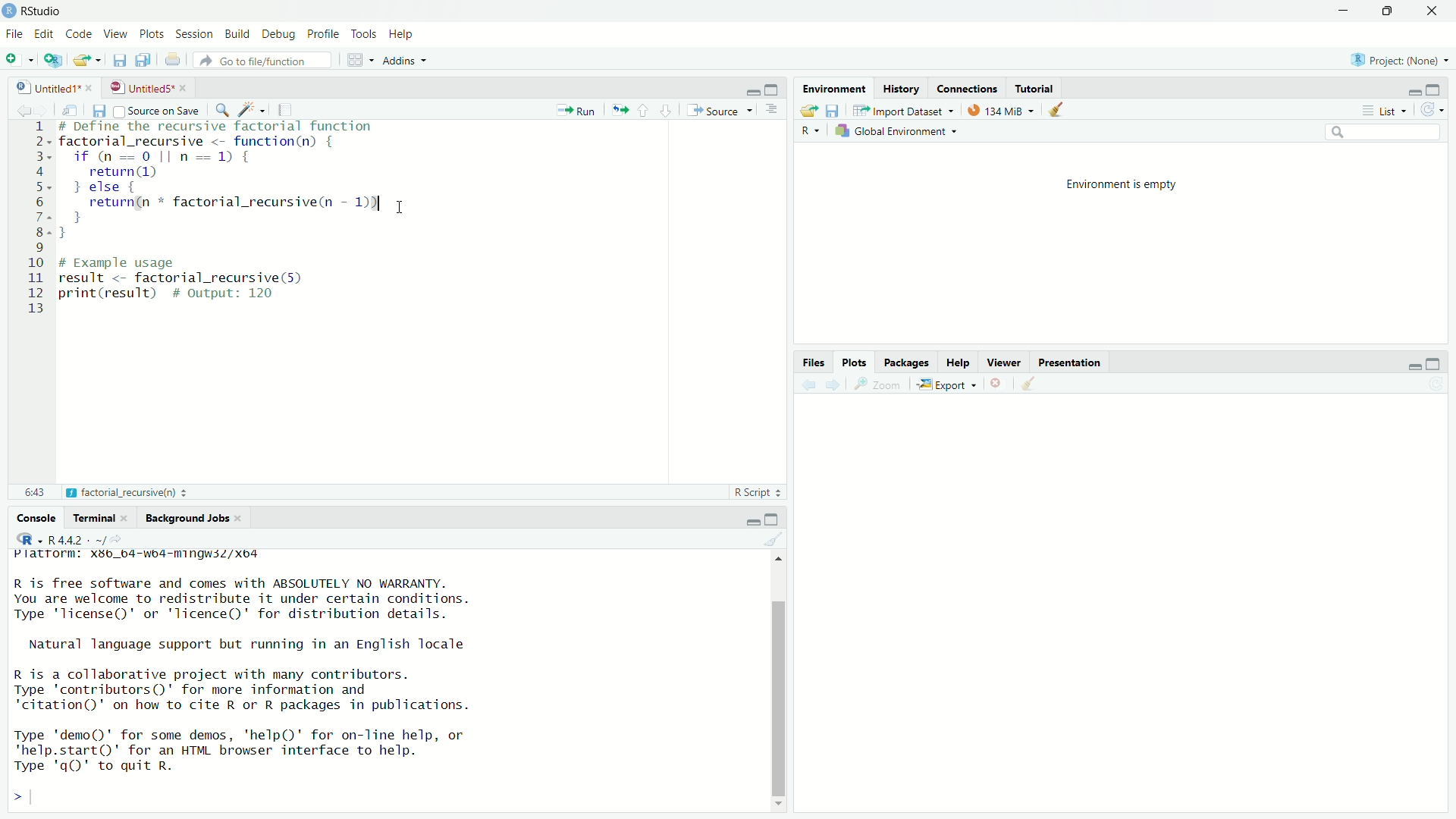 The height and width of the screenshot is (819, 1456). What do you see at coordinates (960, 361) in the screenshot?
I see `Help` at bounding box center [960, 361].